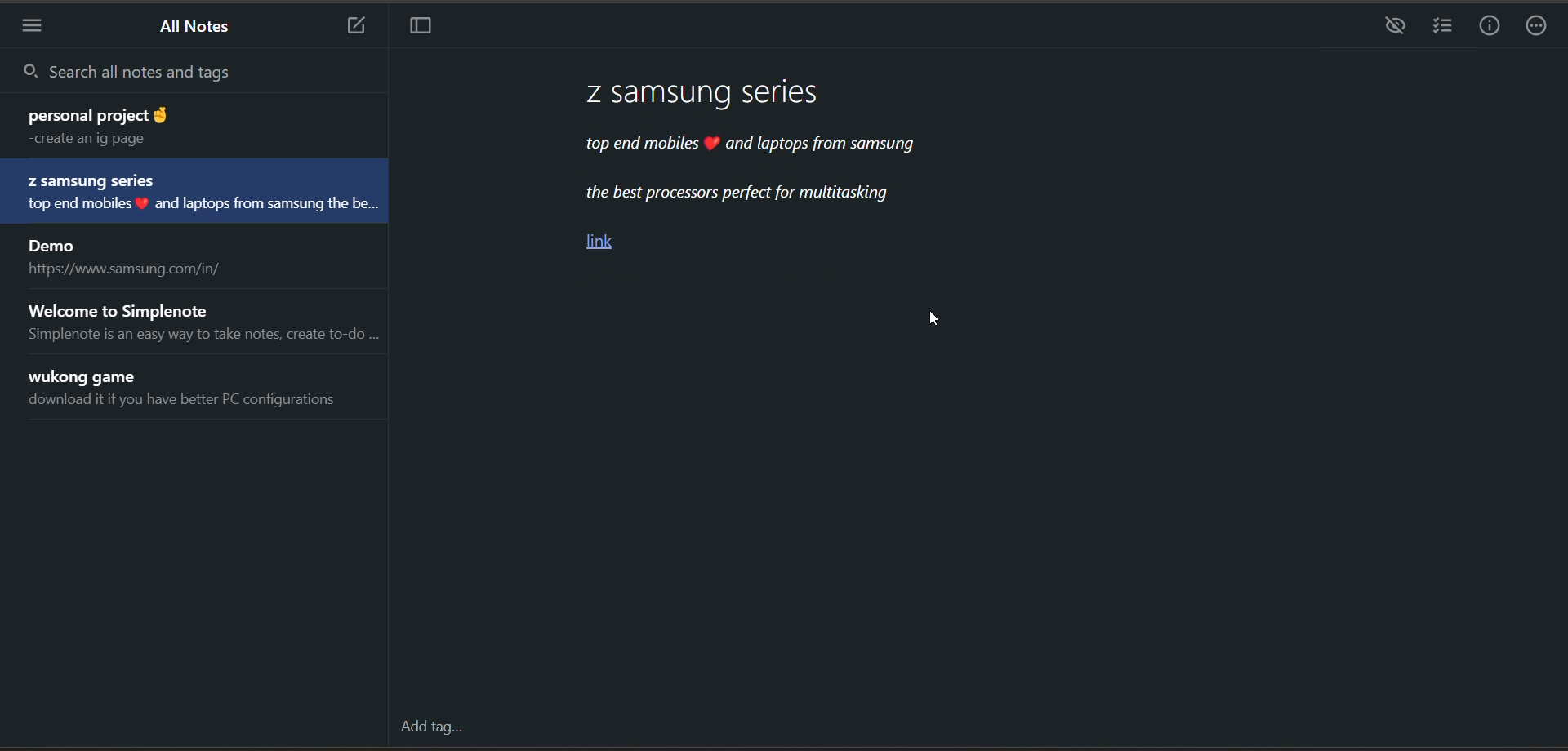 The image size is (1568, 751). Describe the element at coordinates (130, 259) in the screenshot. I see `note title and preview` at that location.